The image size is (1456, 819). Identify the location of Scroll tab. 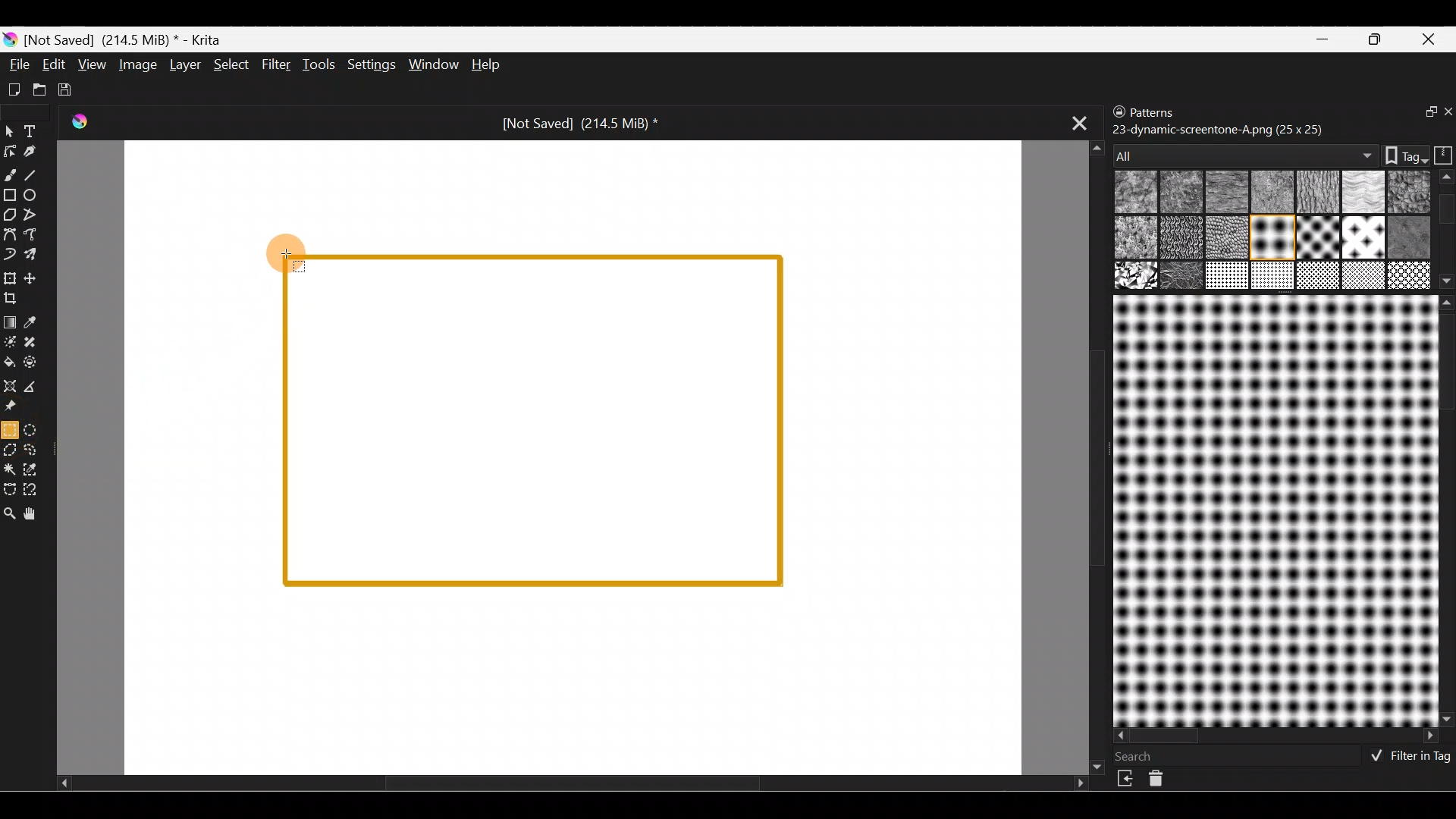
(1090, 455).